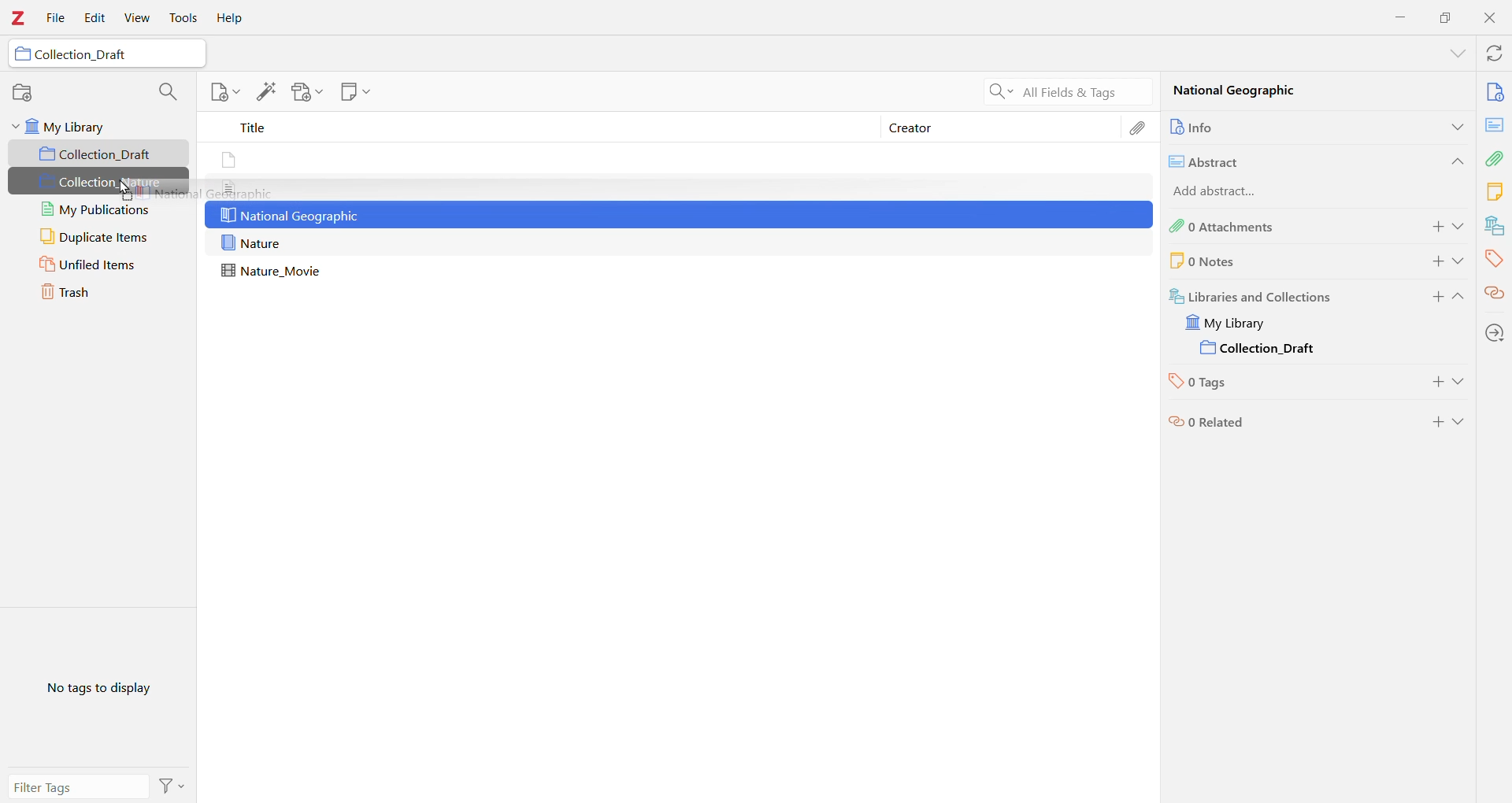  What do you see at coordinates (269, 92) in the screenshot?
I see `Add Item(s) by Identifier` at bounding box center [269, 92].